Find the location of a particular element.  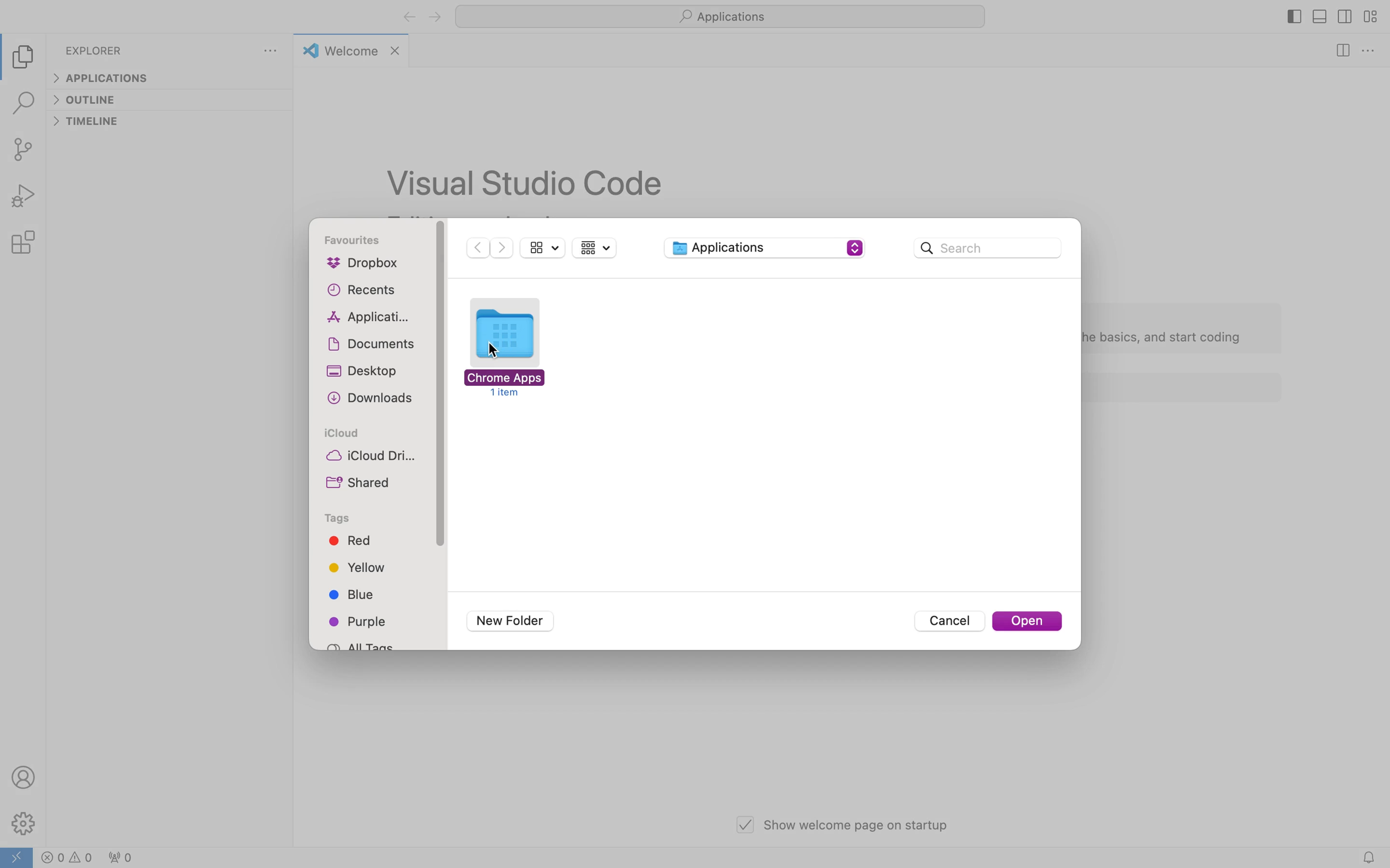

all tags is located at coordinates (365, 644).